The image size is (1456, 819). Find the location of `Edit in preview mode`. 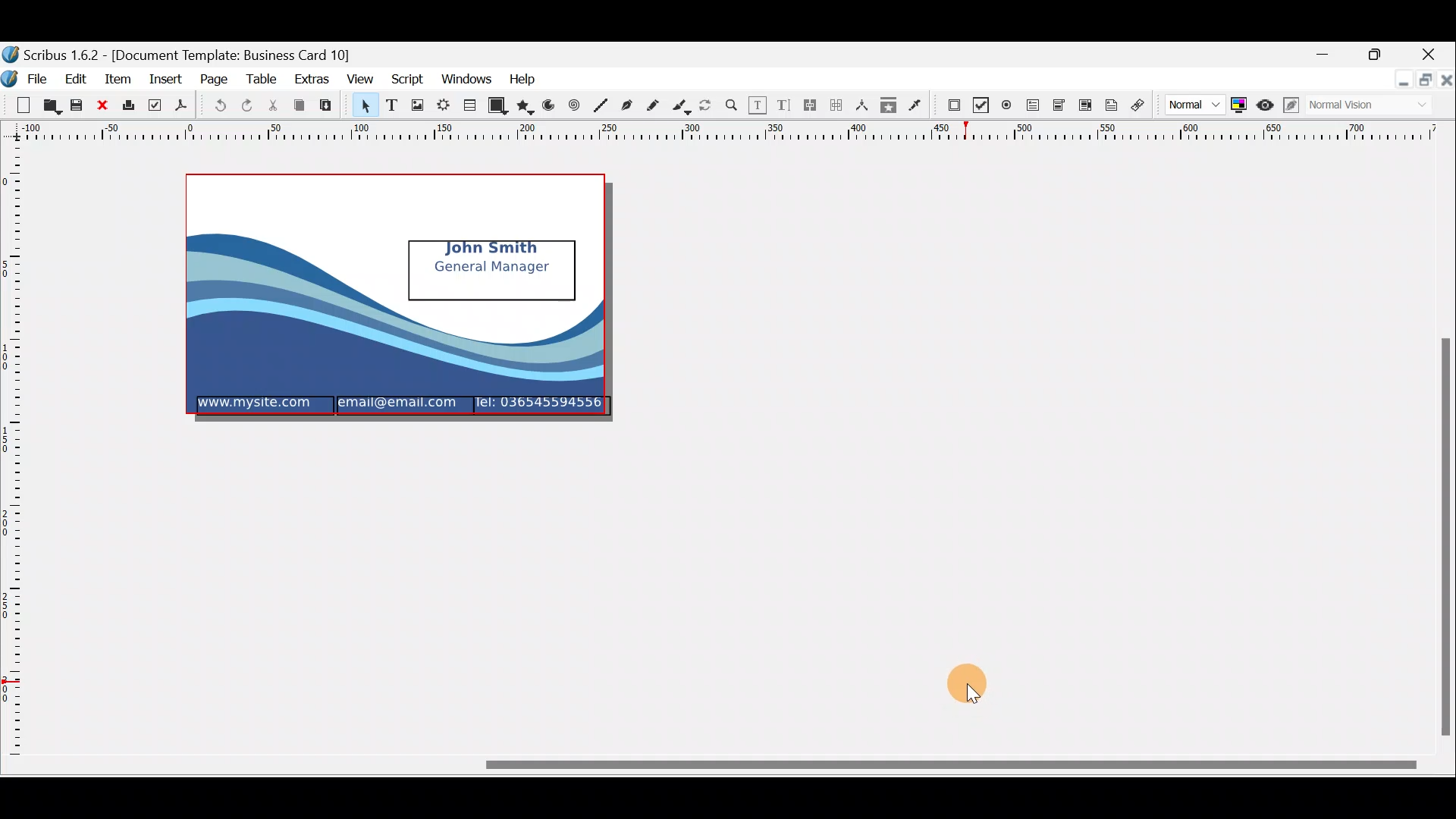

Edit in preview mode is located at coordinates (1289, 107).